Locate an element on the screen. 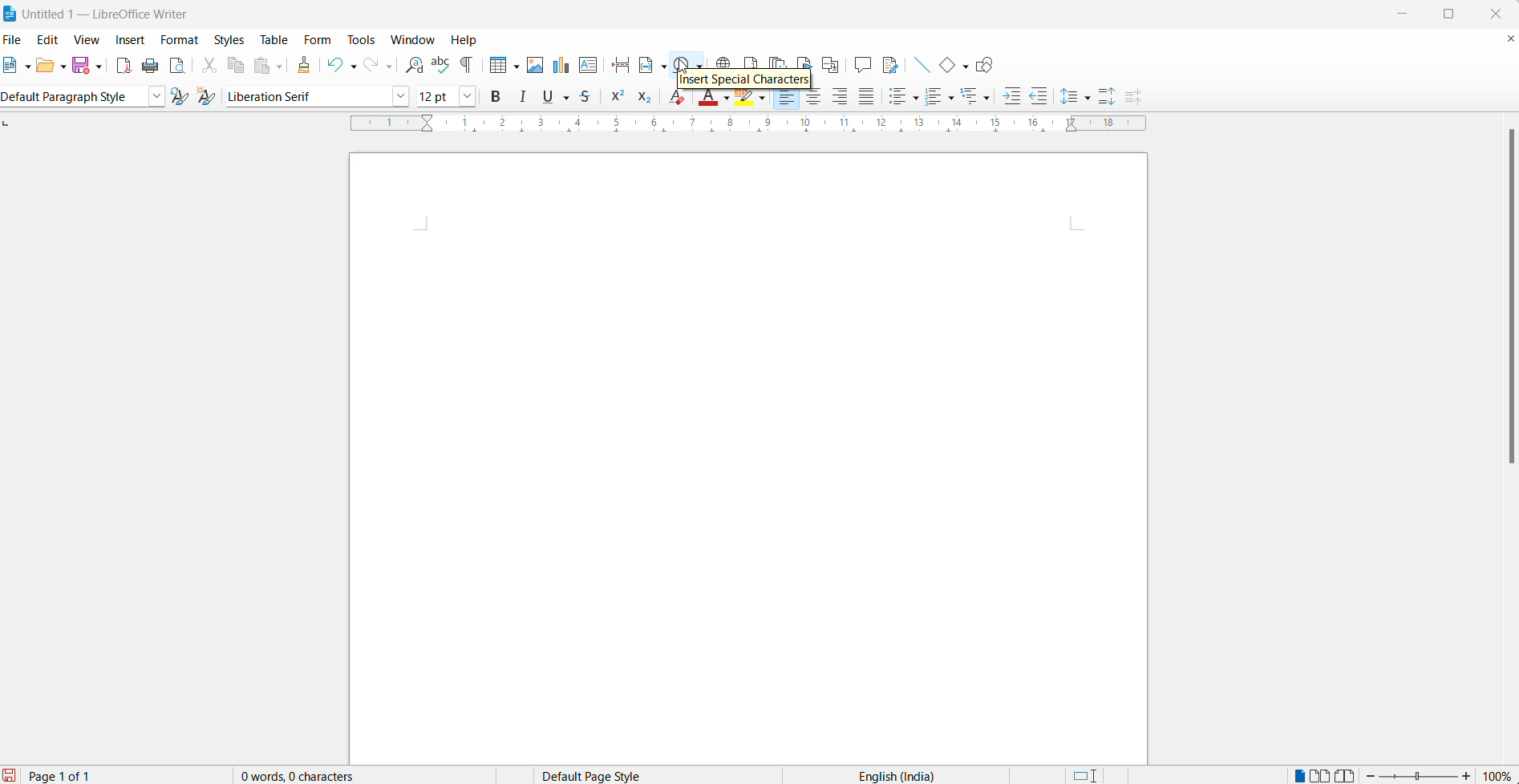 The image size is (1519, 784). insert chart is located at coordinates (559, 66).